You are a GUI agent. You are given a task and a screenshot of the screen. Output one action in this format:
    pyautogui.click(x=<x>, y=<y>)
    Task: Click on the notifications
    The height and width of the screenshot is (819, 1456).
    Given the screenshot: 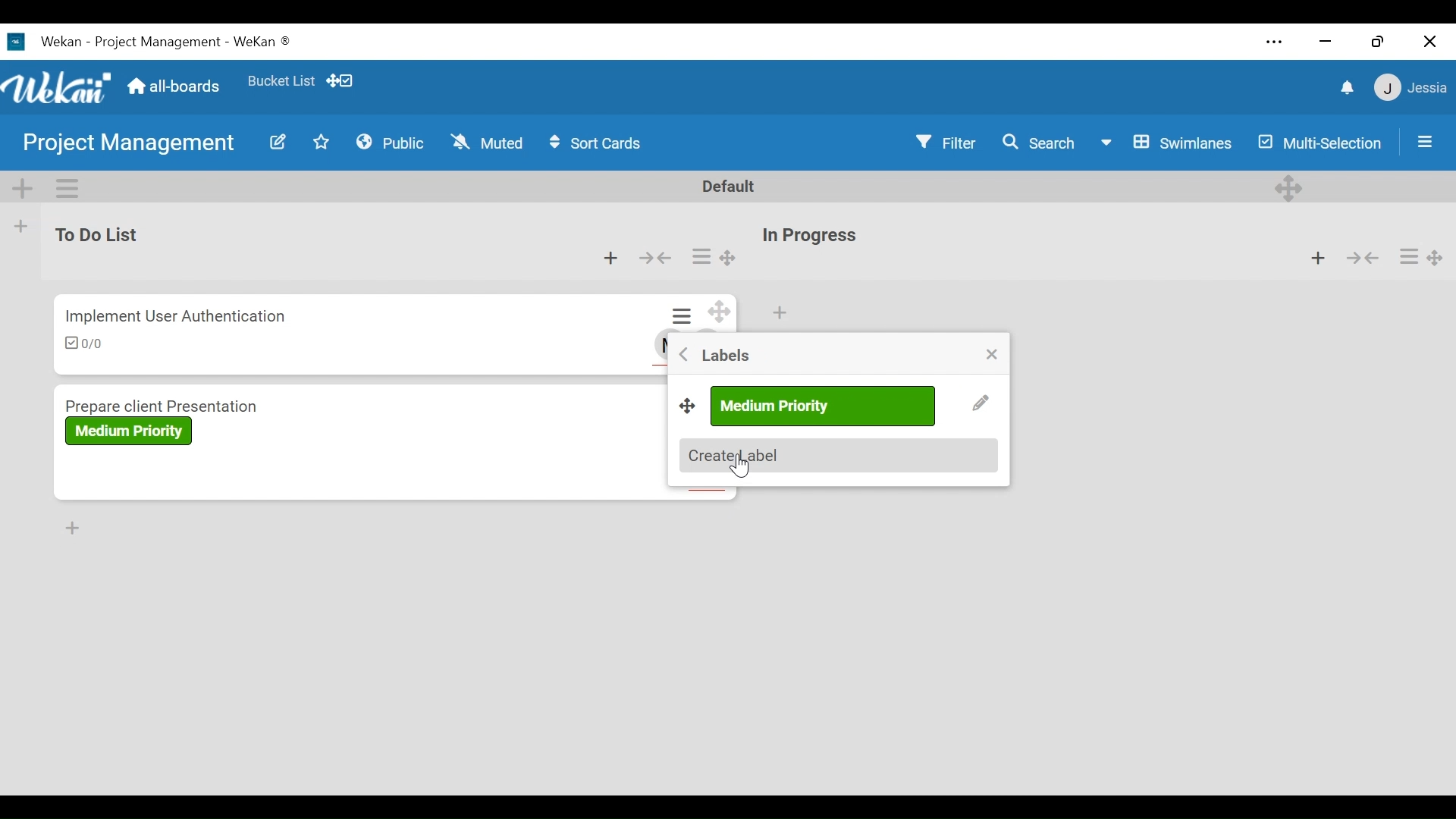 What is the action you would take?
    pyautogui.click(x=1345, y=86)
    